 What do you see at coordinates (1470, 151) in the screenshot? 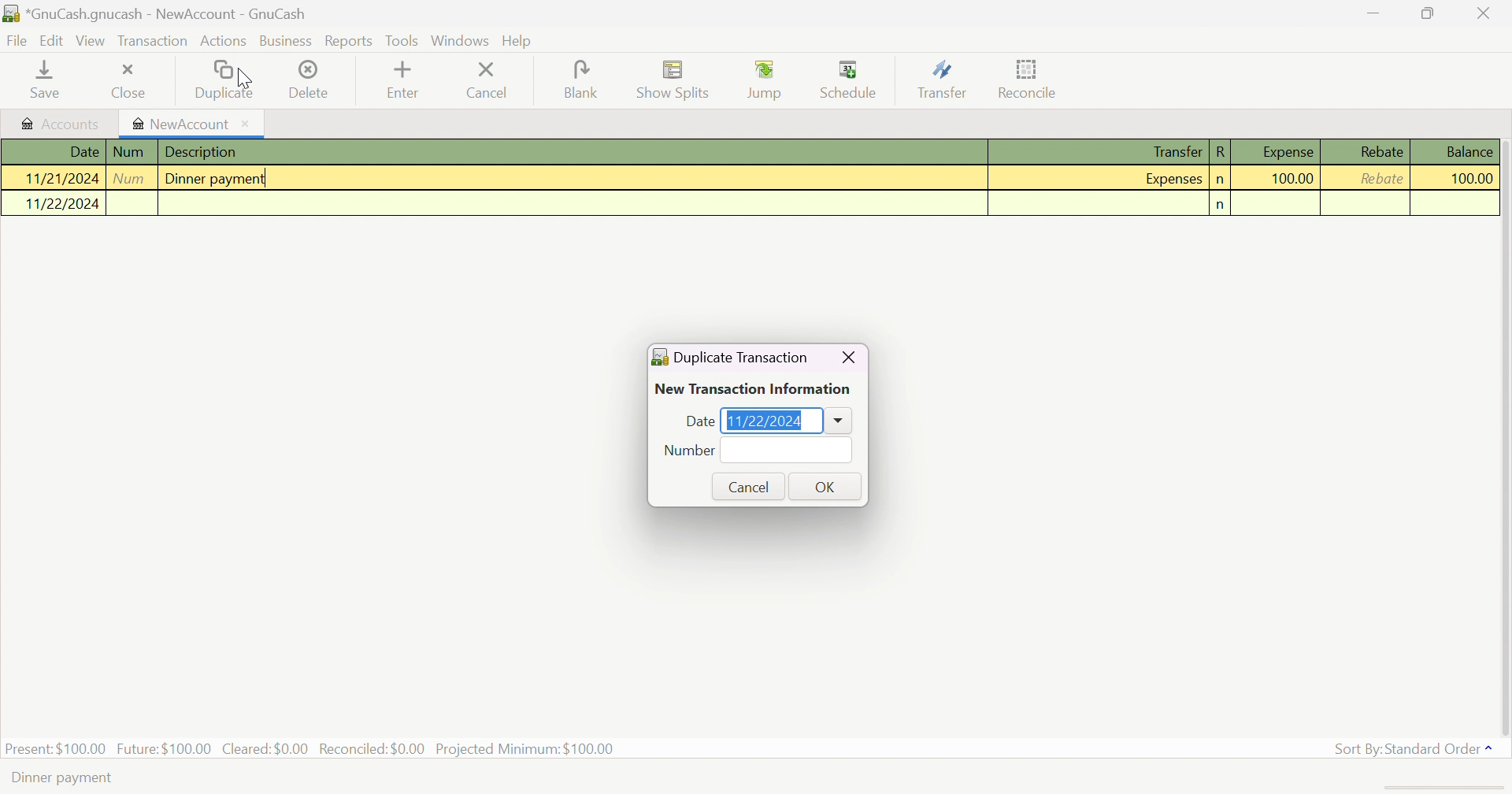
I see `Balance` at bounding box center [1470, 151].